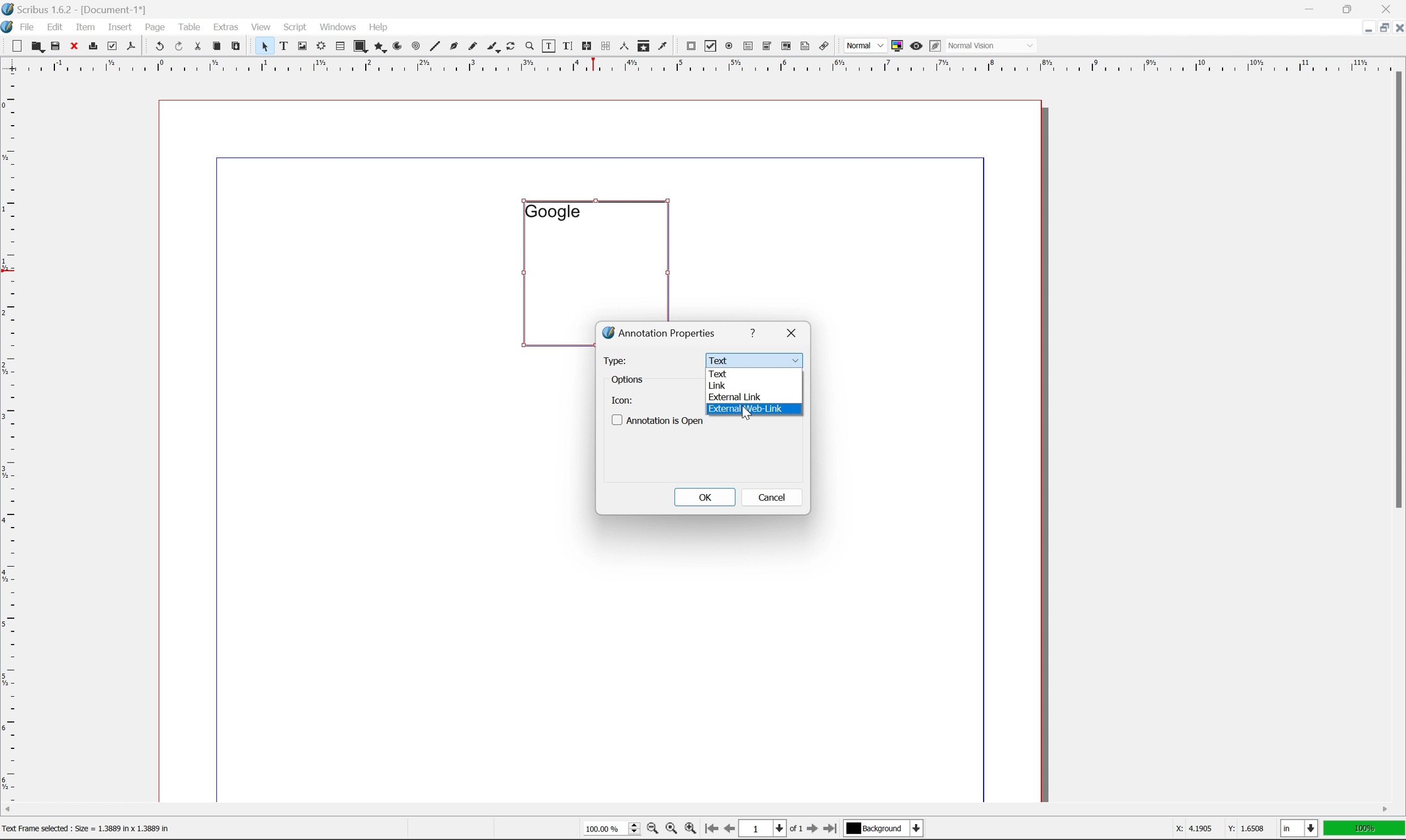  Describe the element at coordinates (864, 45) in the screenshot. I see `normal` at that location.